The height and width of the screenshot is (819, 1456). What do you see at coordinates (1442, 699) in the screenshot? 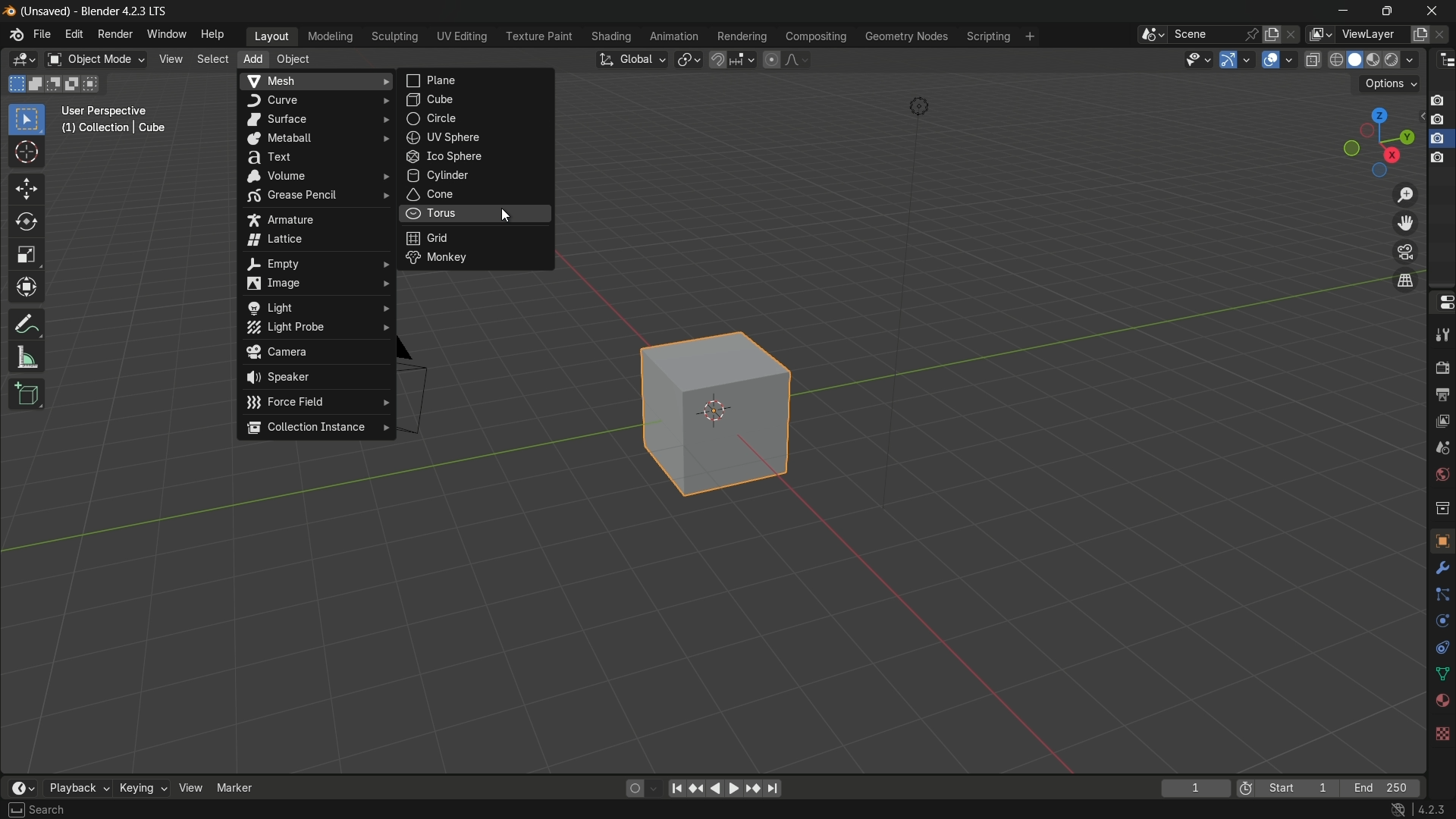
I see `material` at bounding box center [1442, 699].